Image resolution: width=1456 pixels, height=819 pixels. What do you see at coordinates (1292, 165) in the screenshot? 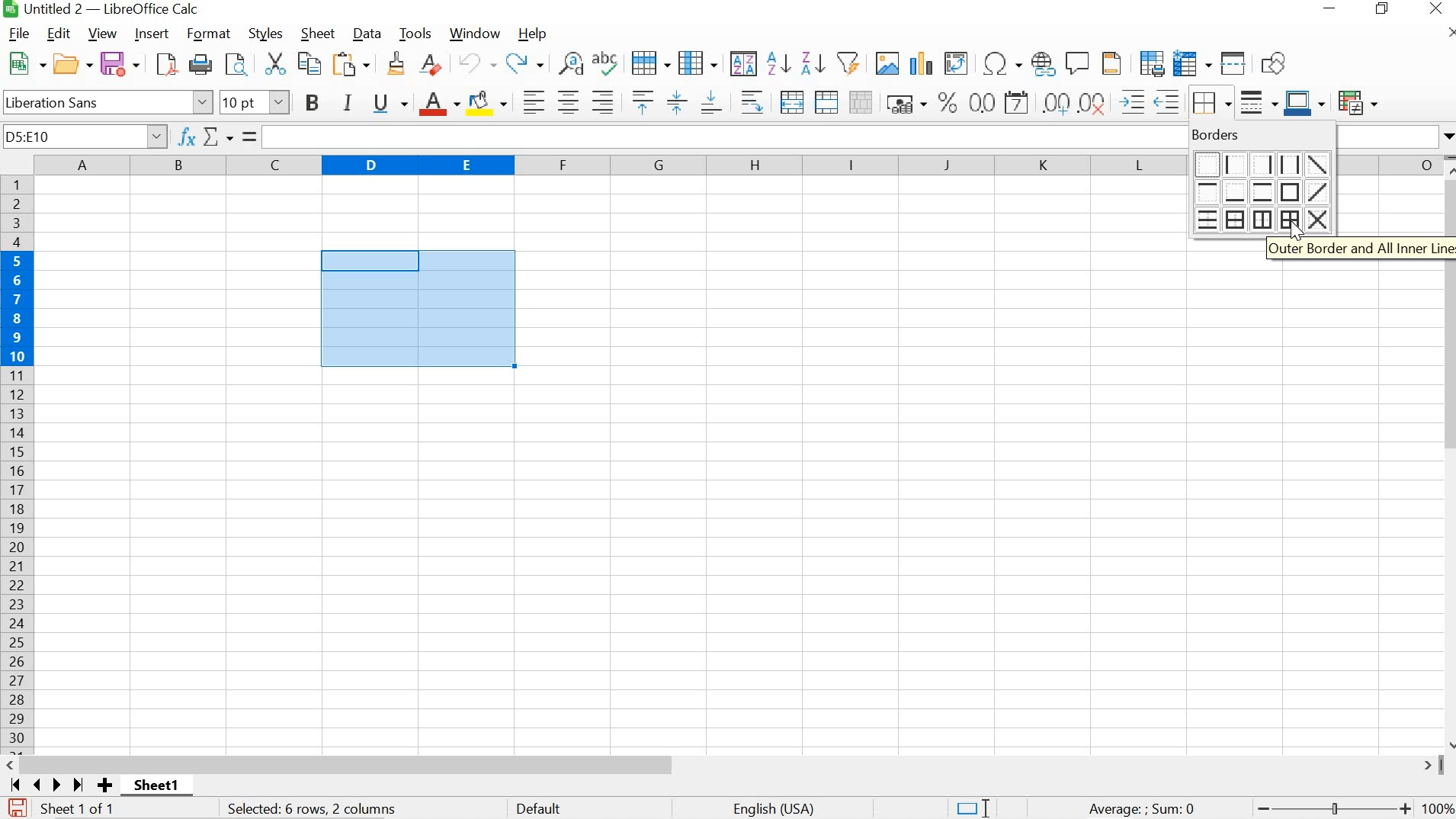
I see `left and right border` at bounding box center [1292, 165].